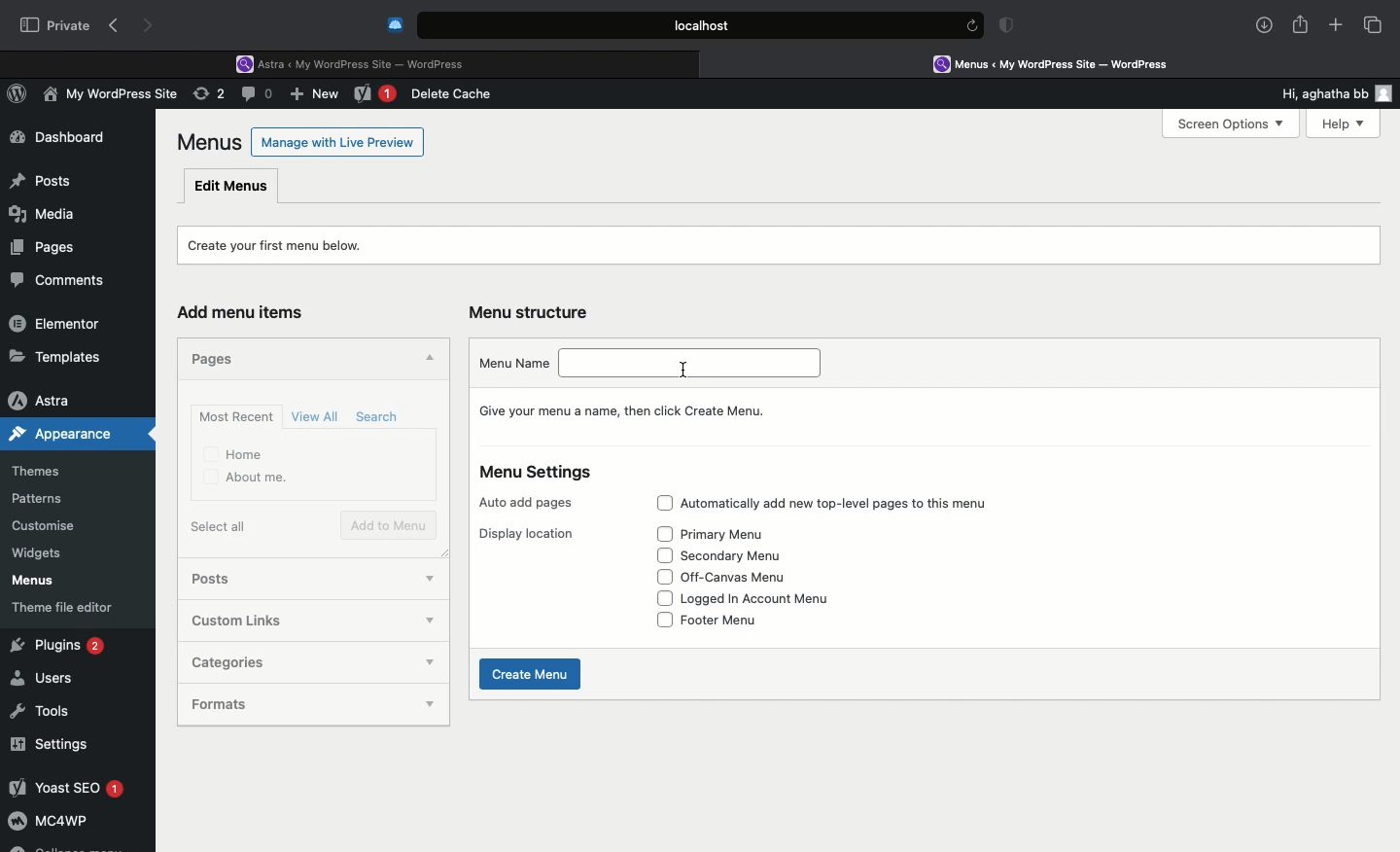  Describe the element at coordinates (47, 529) in the screenshot. I see `Customize` at that location.